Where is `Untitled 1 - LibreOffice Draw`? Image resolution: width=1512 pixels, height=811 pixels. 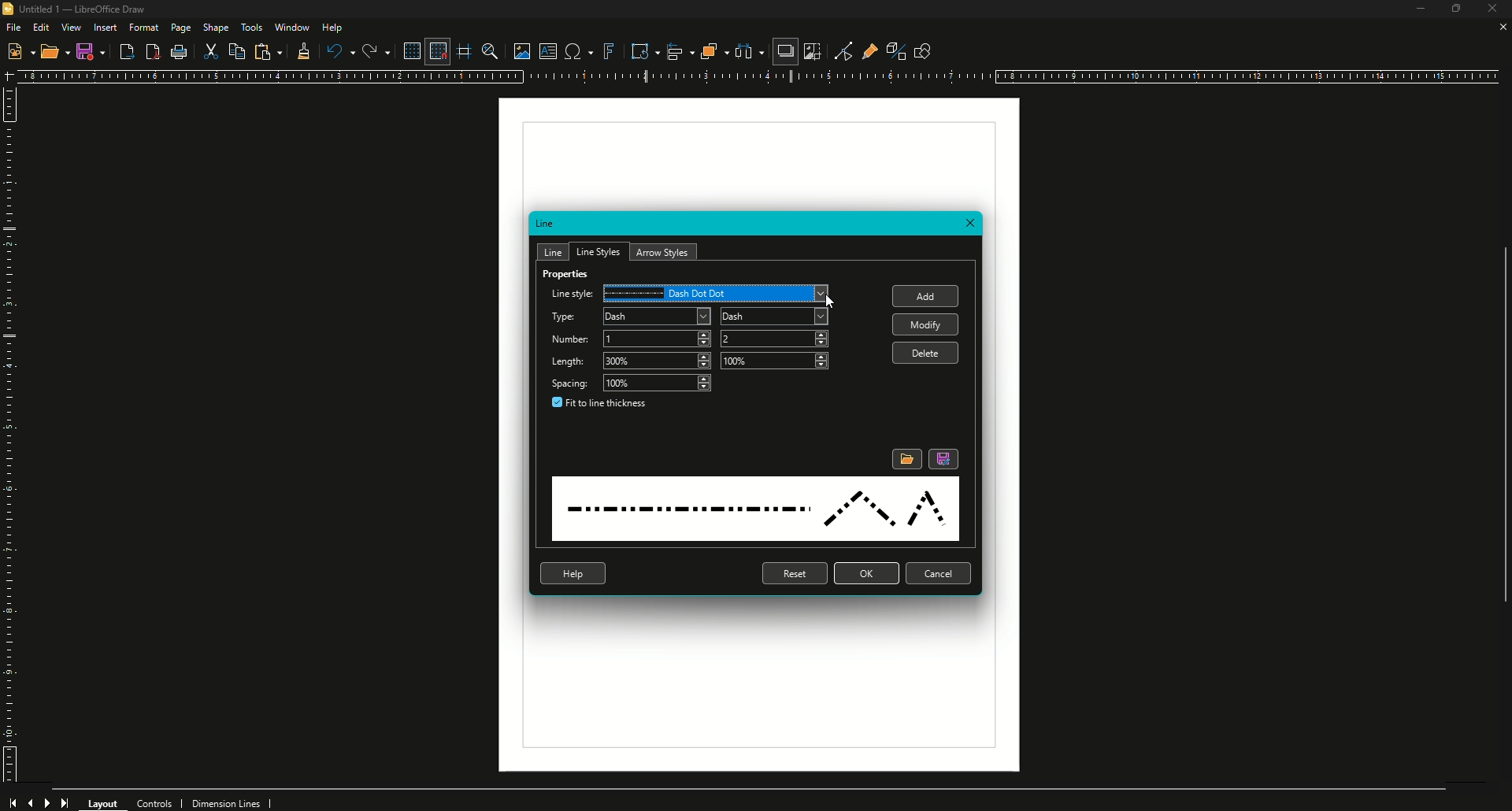
Untitled 1 - LibreOffice Draw is located at coordinates (80, 9).